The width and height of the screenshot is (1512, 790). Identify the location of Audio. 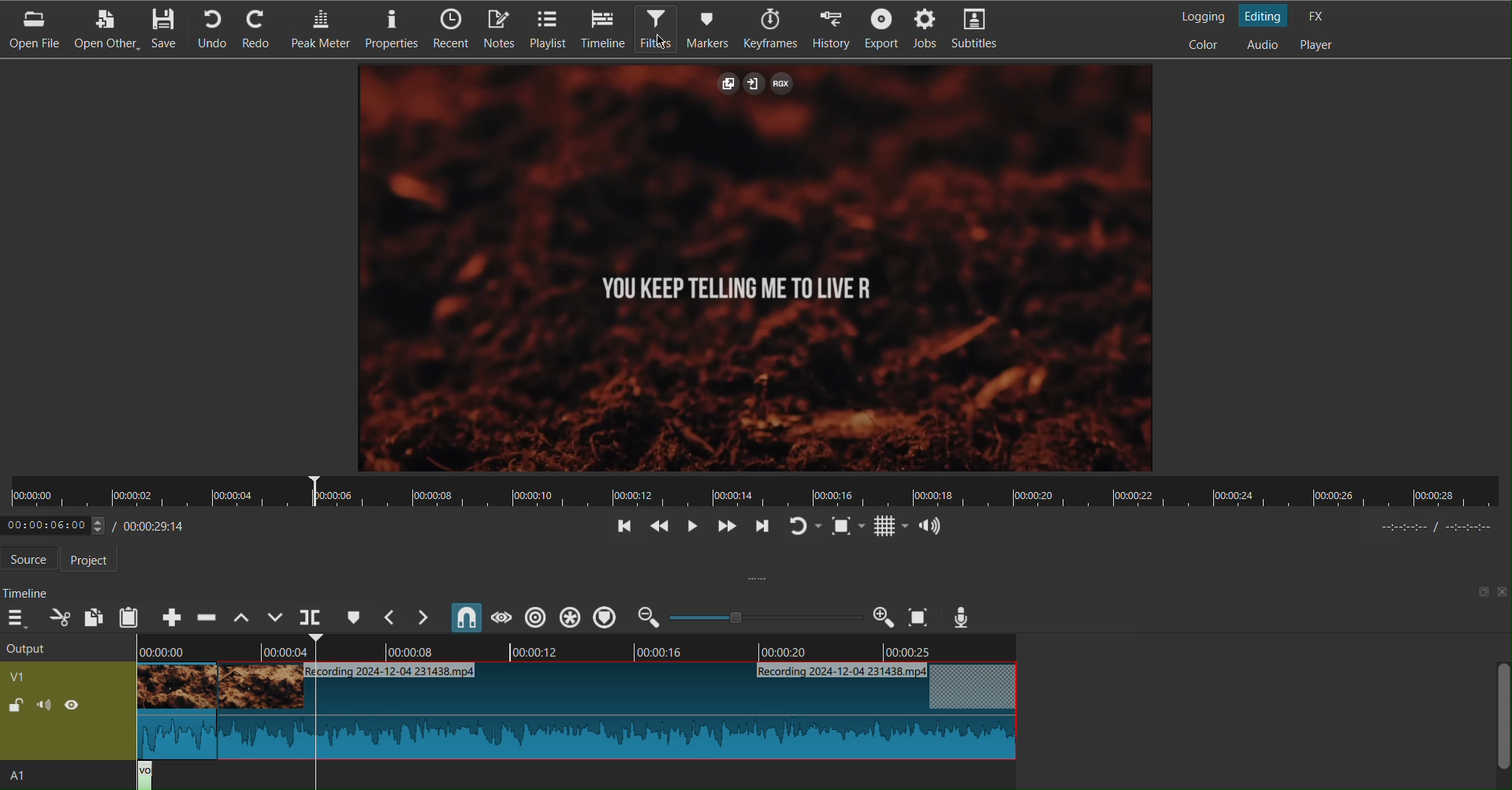
(933, 524).